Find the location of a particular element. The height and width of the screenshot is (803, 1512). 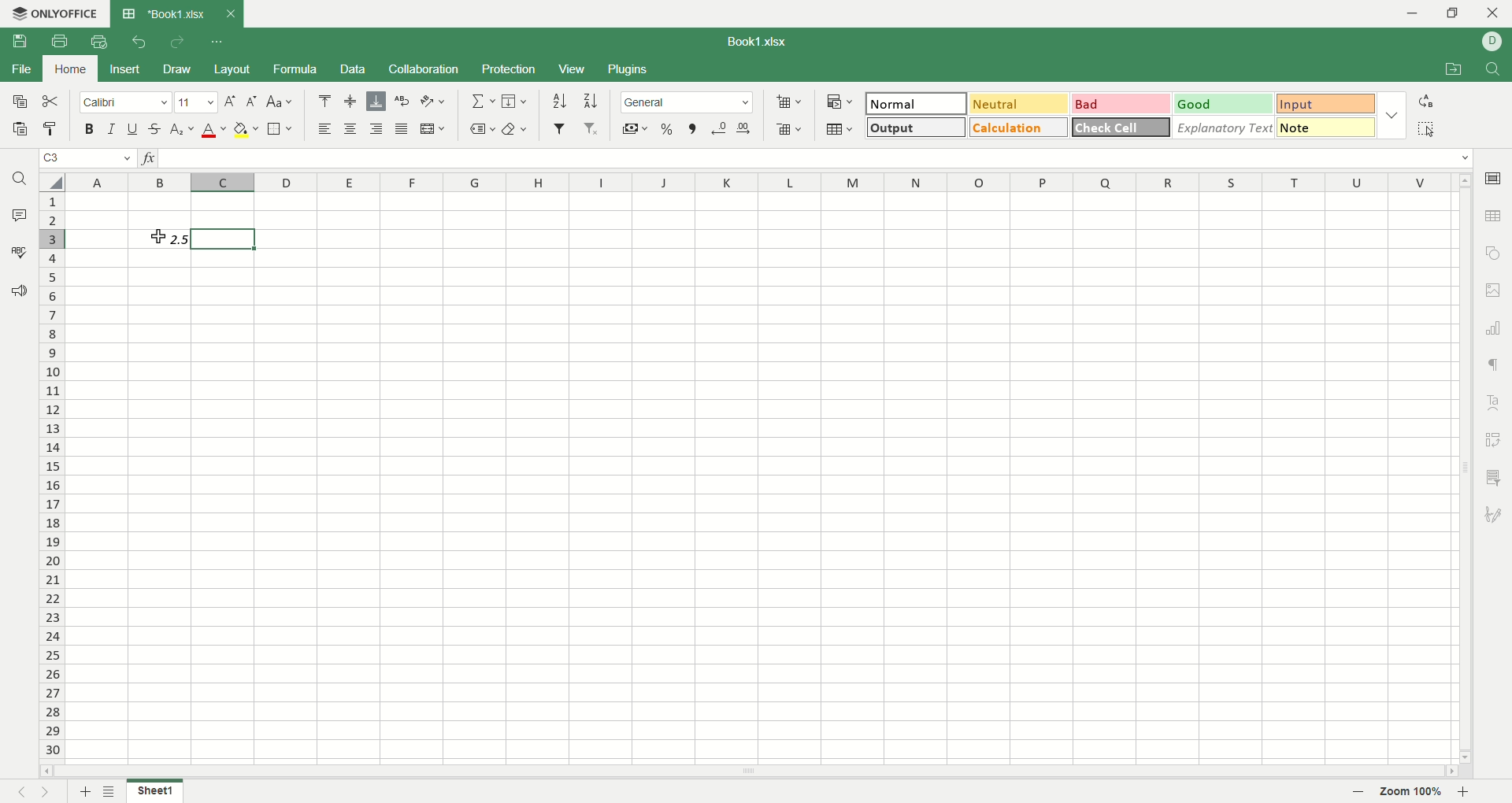

save is located at coordinates (20, 41).